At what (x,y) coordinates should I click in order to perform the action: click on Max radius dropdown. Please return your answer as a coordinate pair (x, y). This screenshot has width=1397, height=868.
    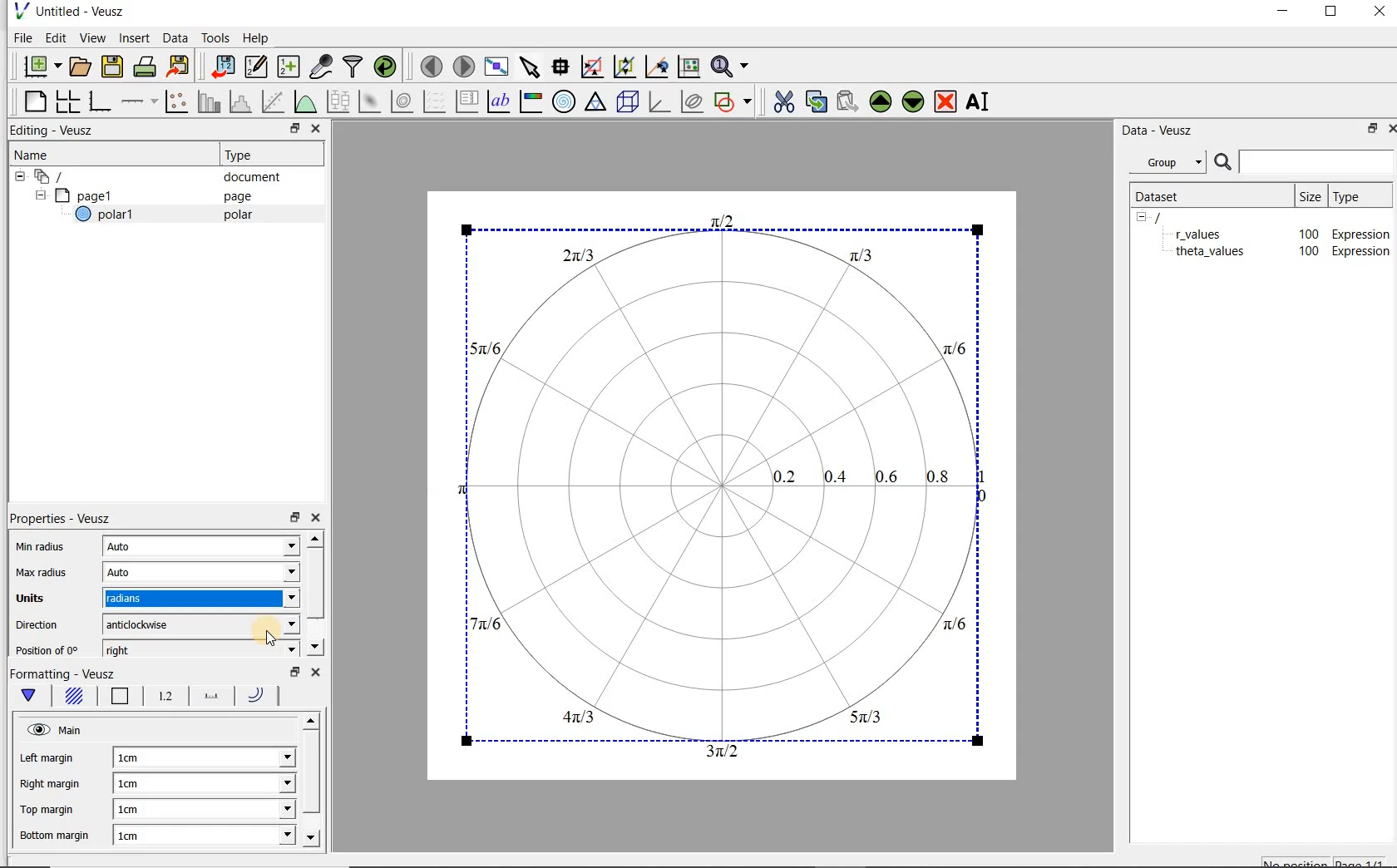
    Looking at the image, I should click on (275, 573).